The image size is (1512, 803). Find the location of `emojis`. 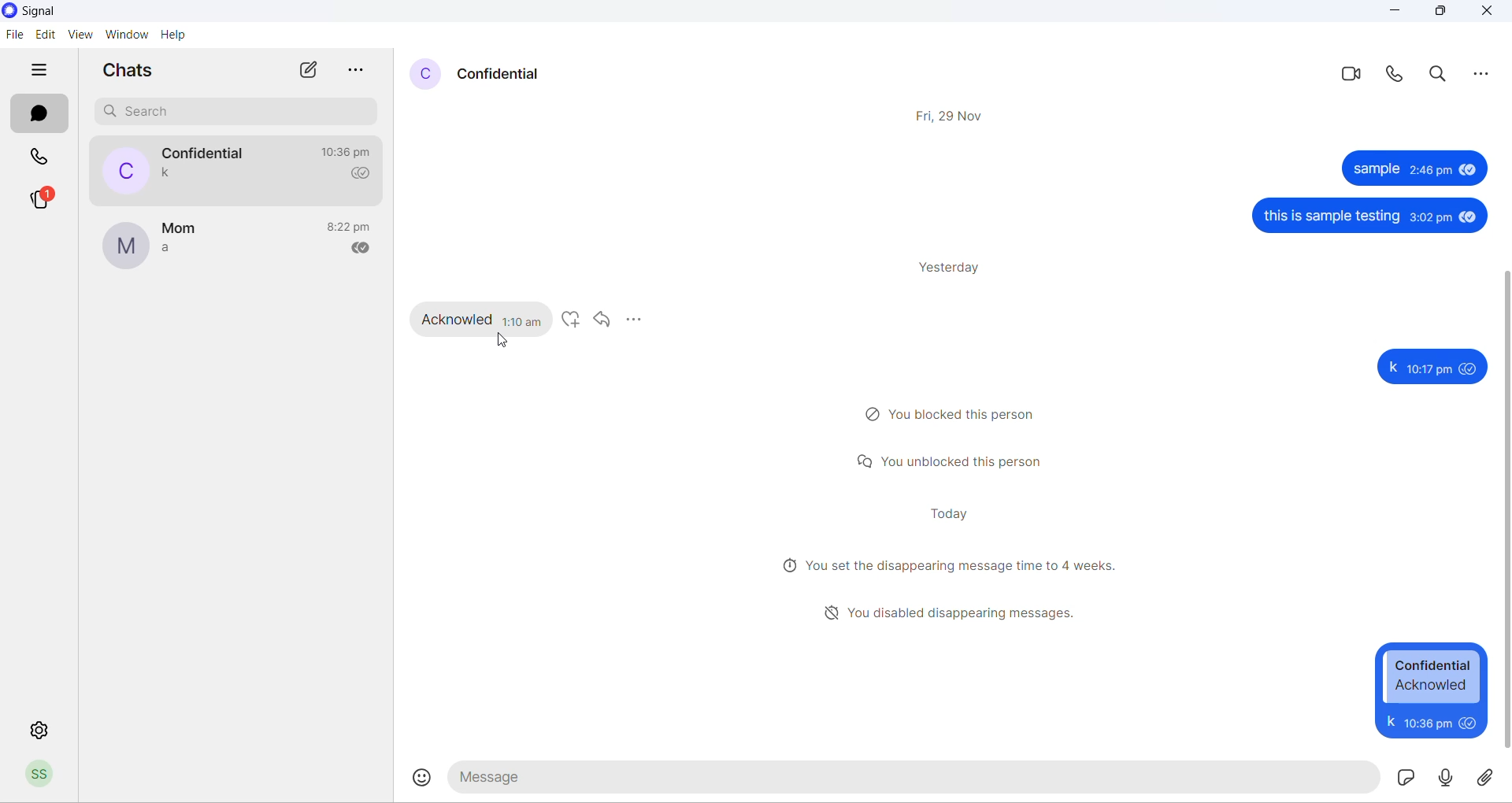

emojis is located at coordinates (424, 778).